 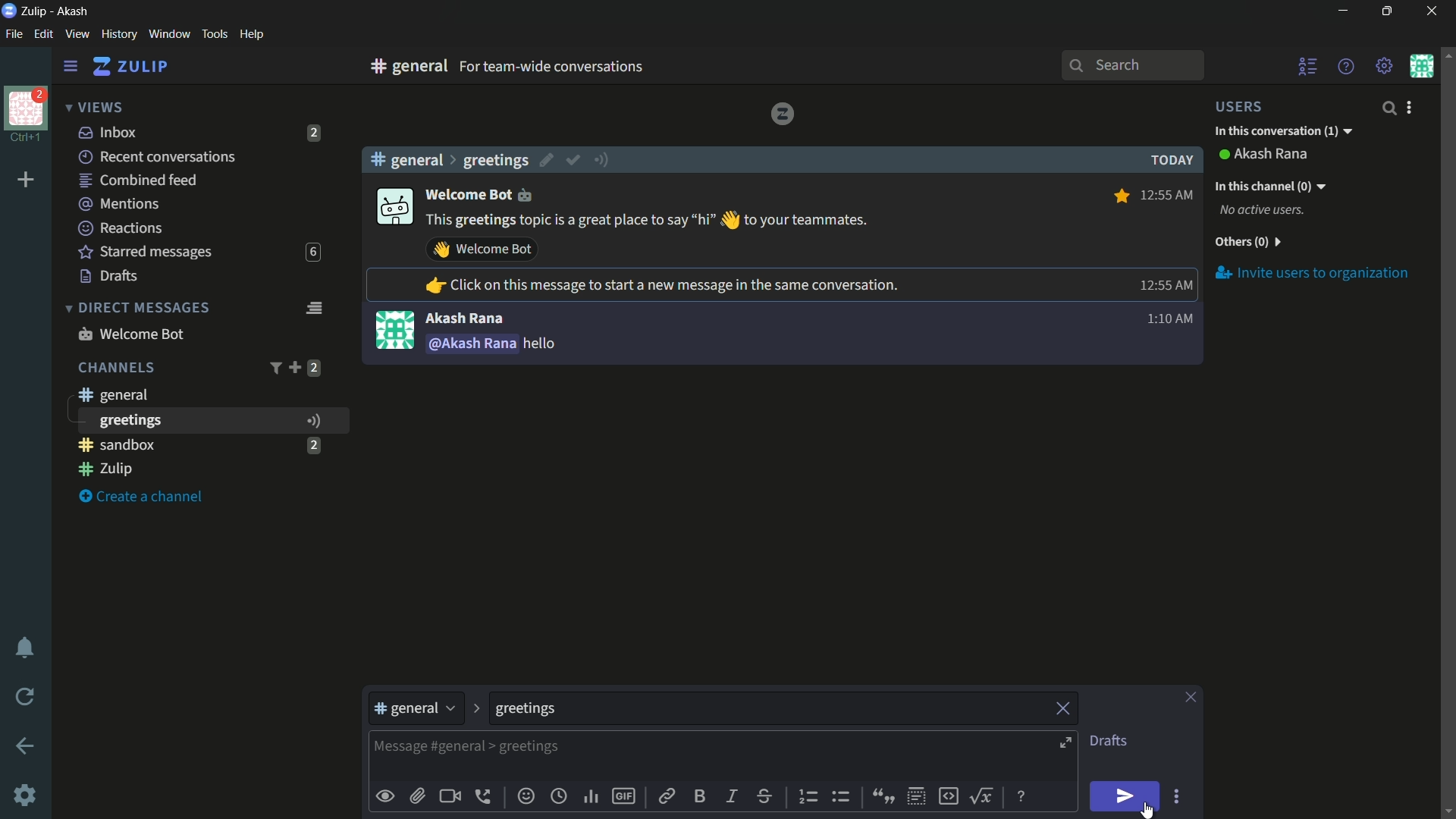 What do you see at coordinates (701, 795) in the screenshot?
I see `bold` at bounding box center [701, 795].